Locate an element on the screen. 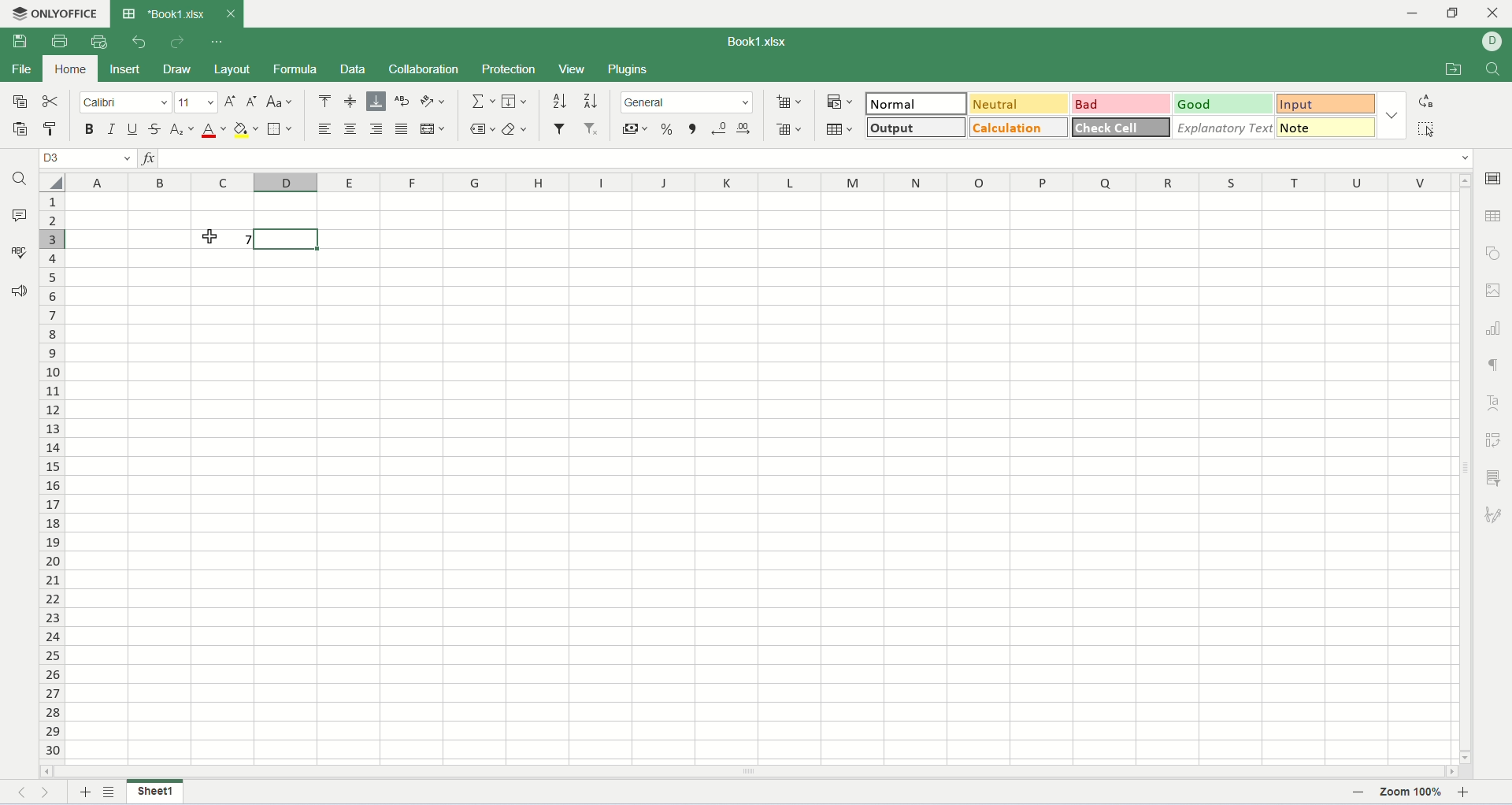  sheet name is located at coordinates (158, 791).